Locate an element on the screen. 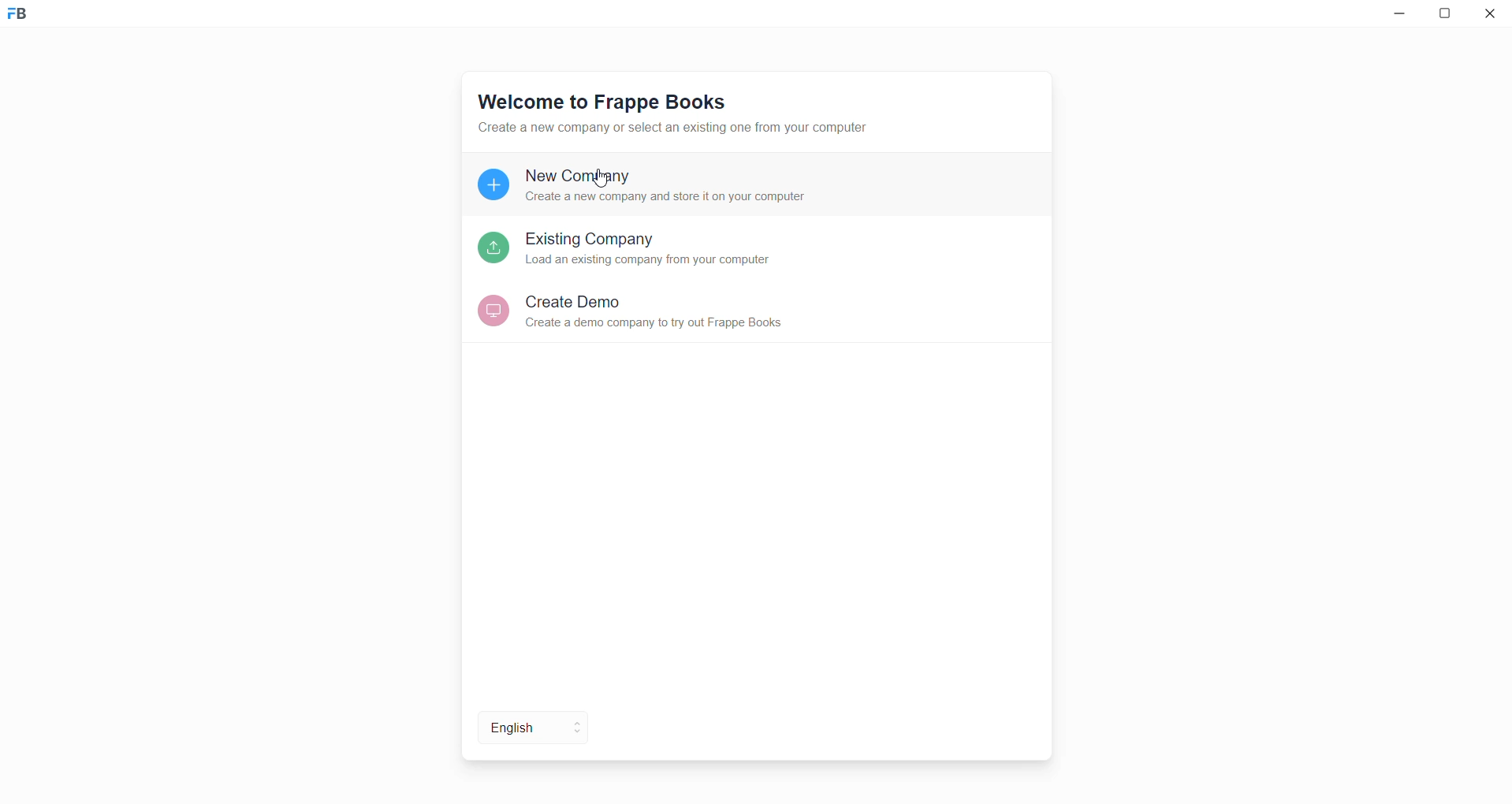  cursor is located at coordinates (603, 181).